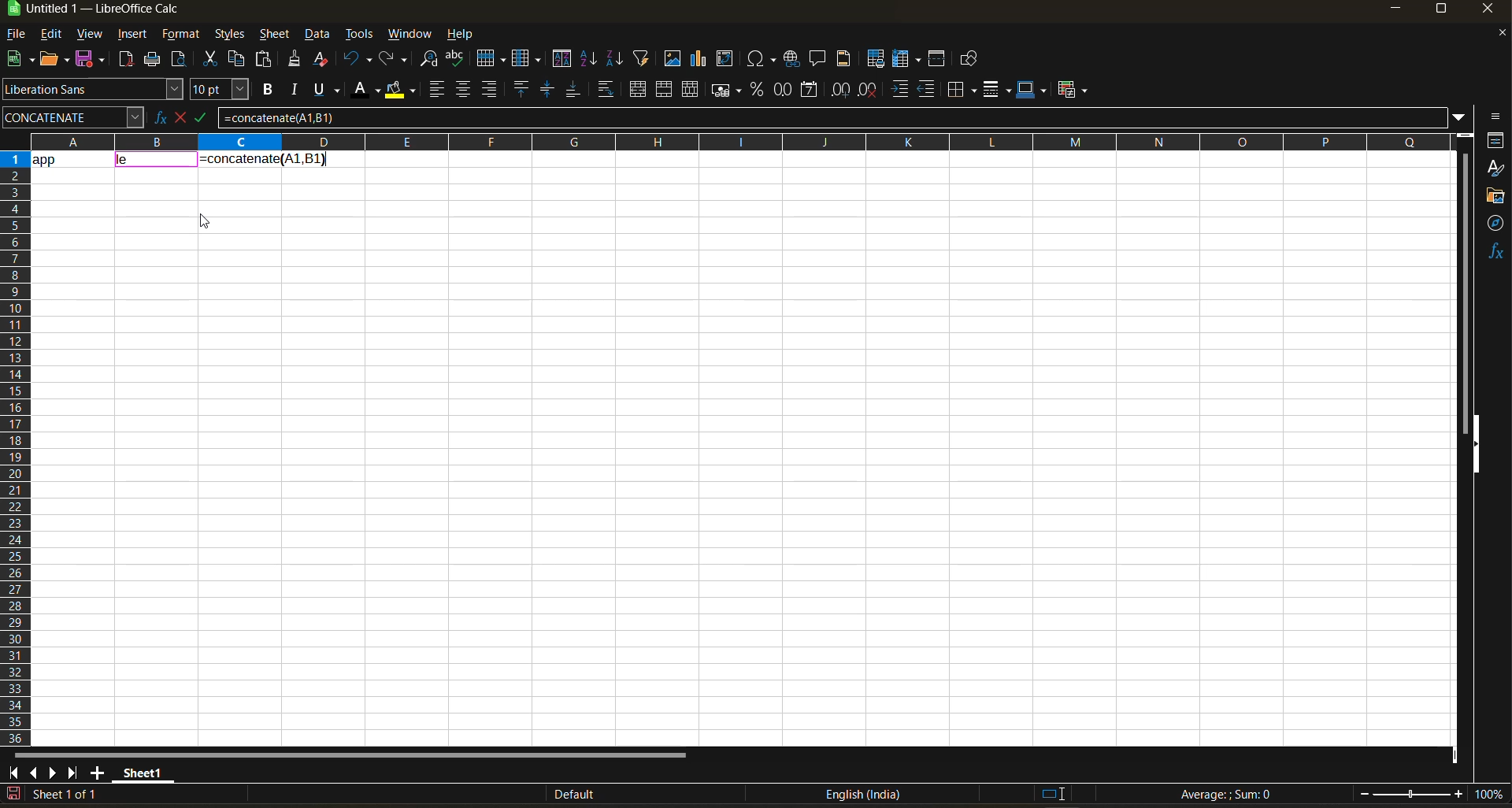 Image resolution: width=1512 pixels, height=808 pixels. Describe the element at coordinates (1394, 9) in the screenshot. I see `minimize` at that location.